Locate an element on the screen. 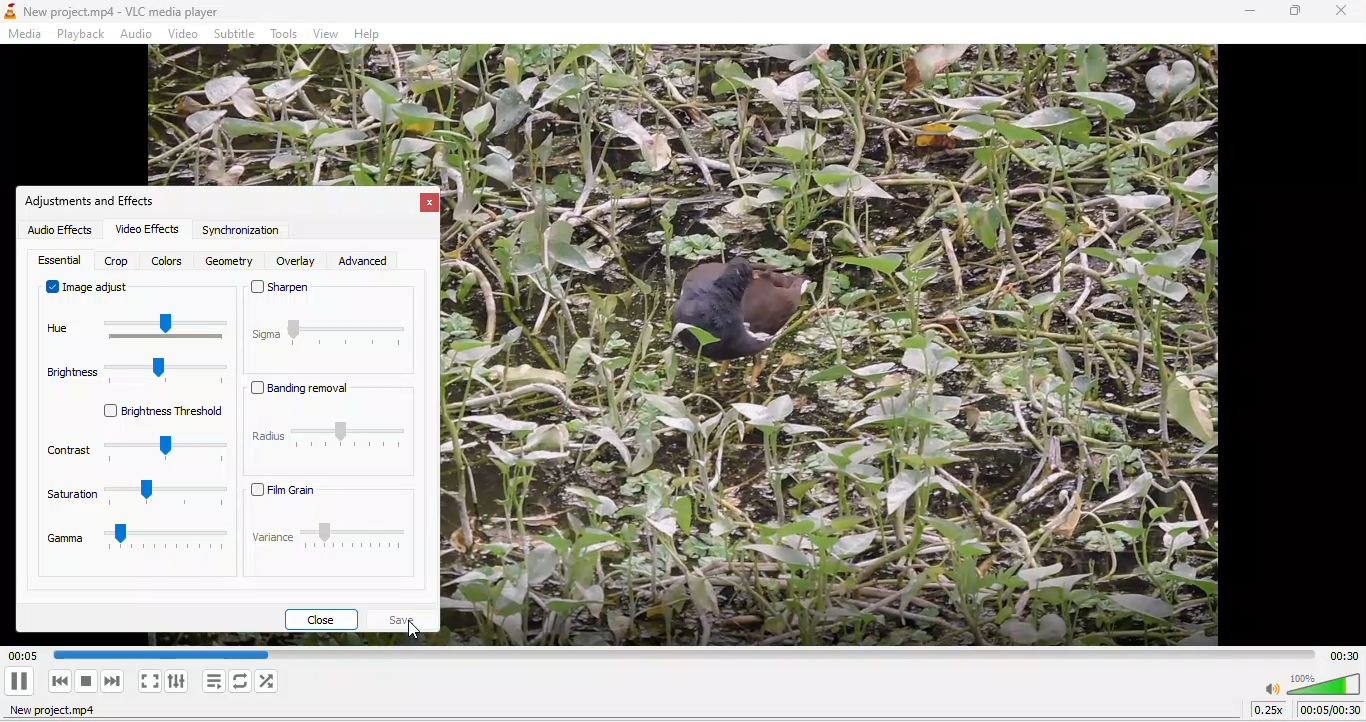 Image resolution: width=1366 pixels, height=722 pixels. previous media is located at coordinates (59, 681).